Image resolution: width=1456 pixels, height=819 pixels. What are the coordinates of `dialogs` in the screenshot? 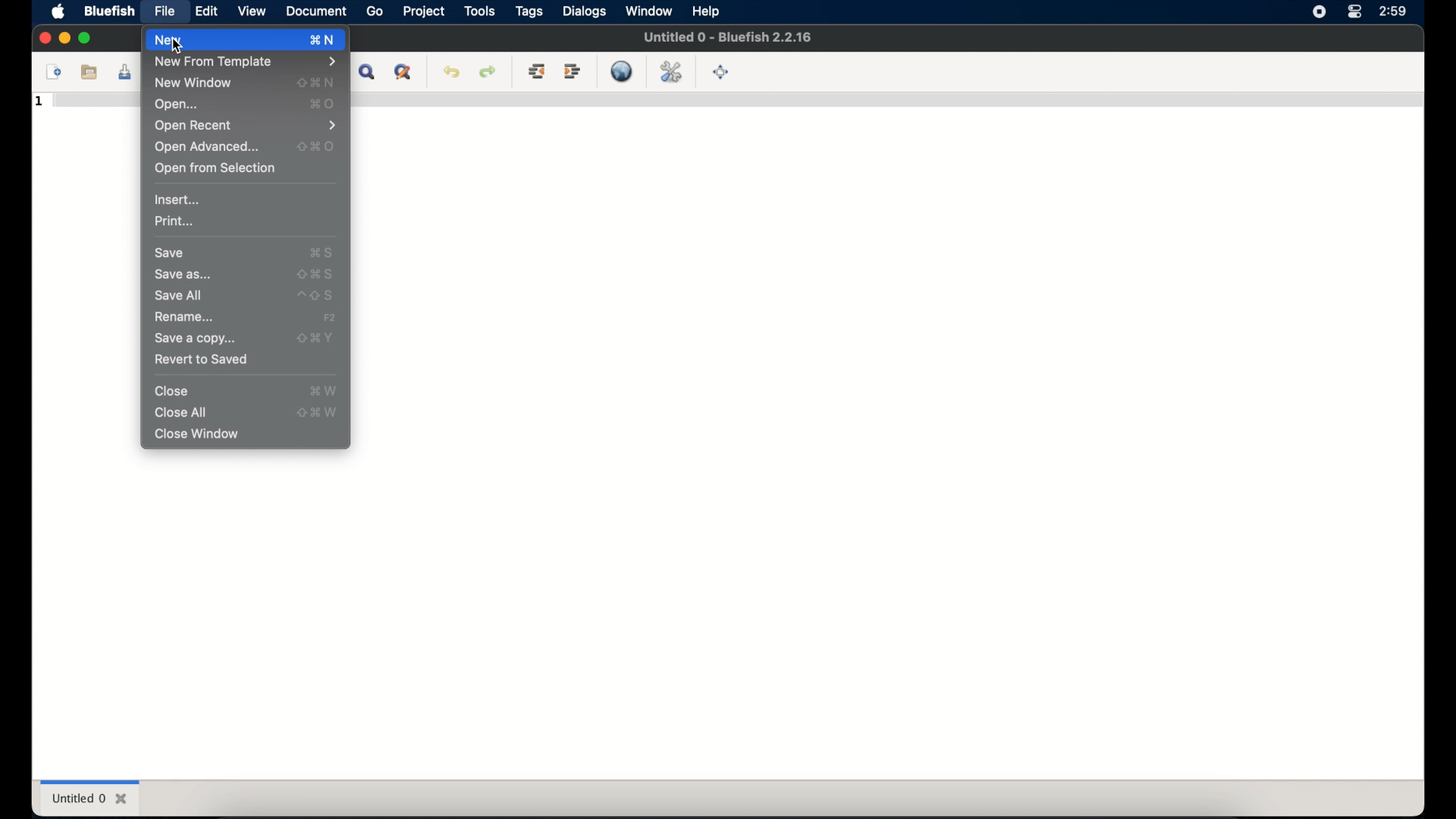 It's located at (585, 11).